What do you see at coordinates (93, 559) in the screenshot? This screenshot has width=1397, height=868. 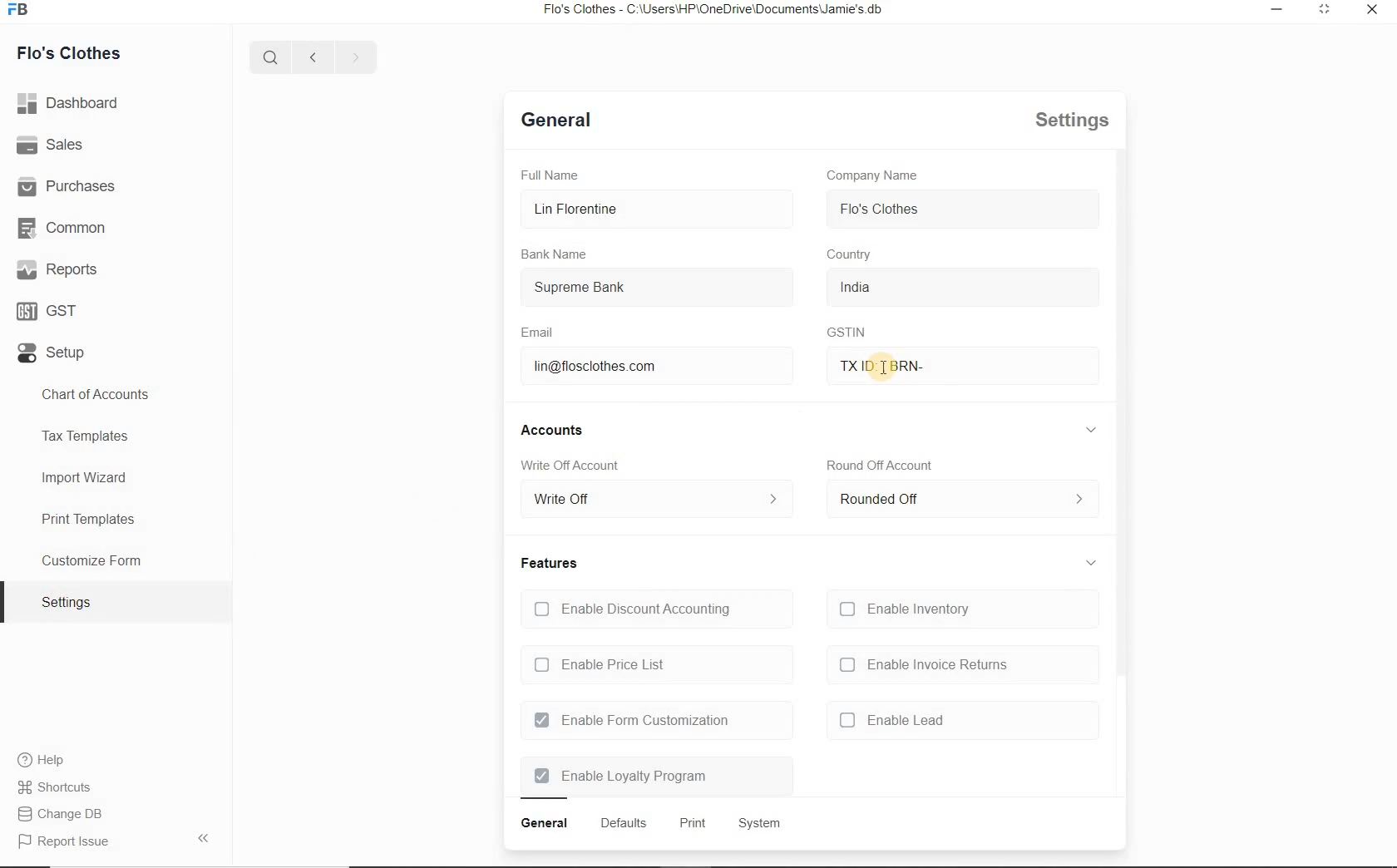 I see `Customize Form` at bounding box center [93, 559].